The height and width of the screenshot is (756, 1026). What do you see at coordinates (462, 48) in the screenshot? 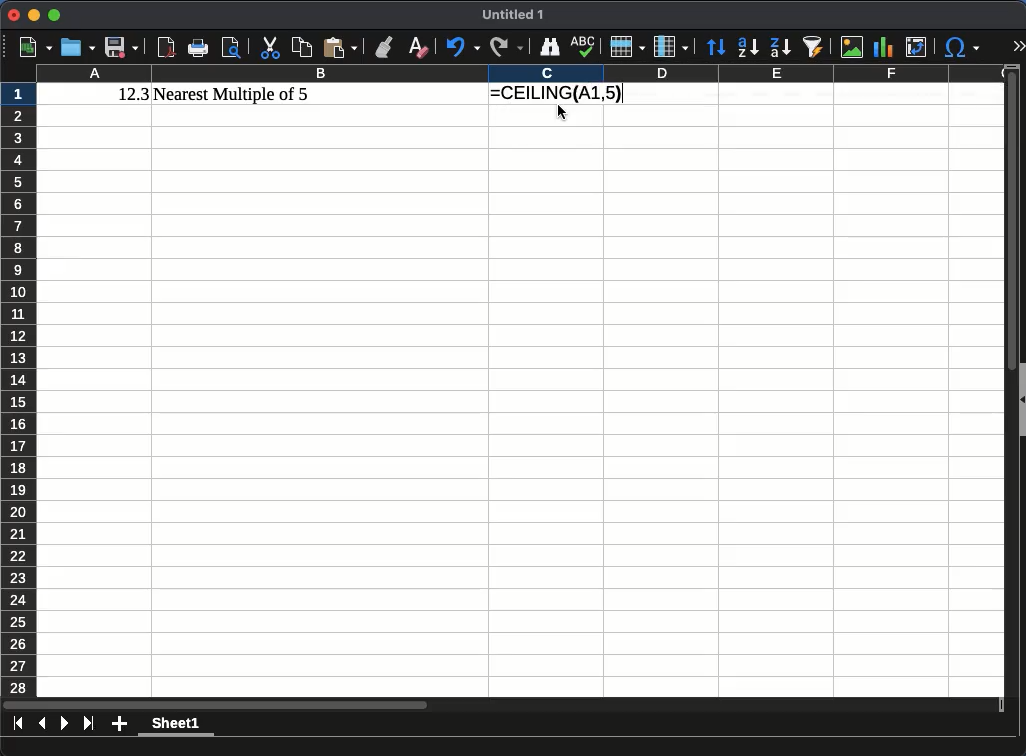
I see `undo` at bounding box center [462, 48].